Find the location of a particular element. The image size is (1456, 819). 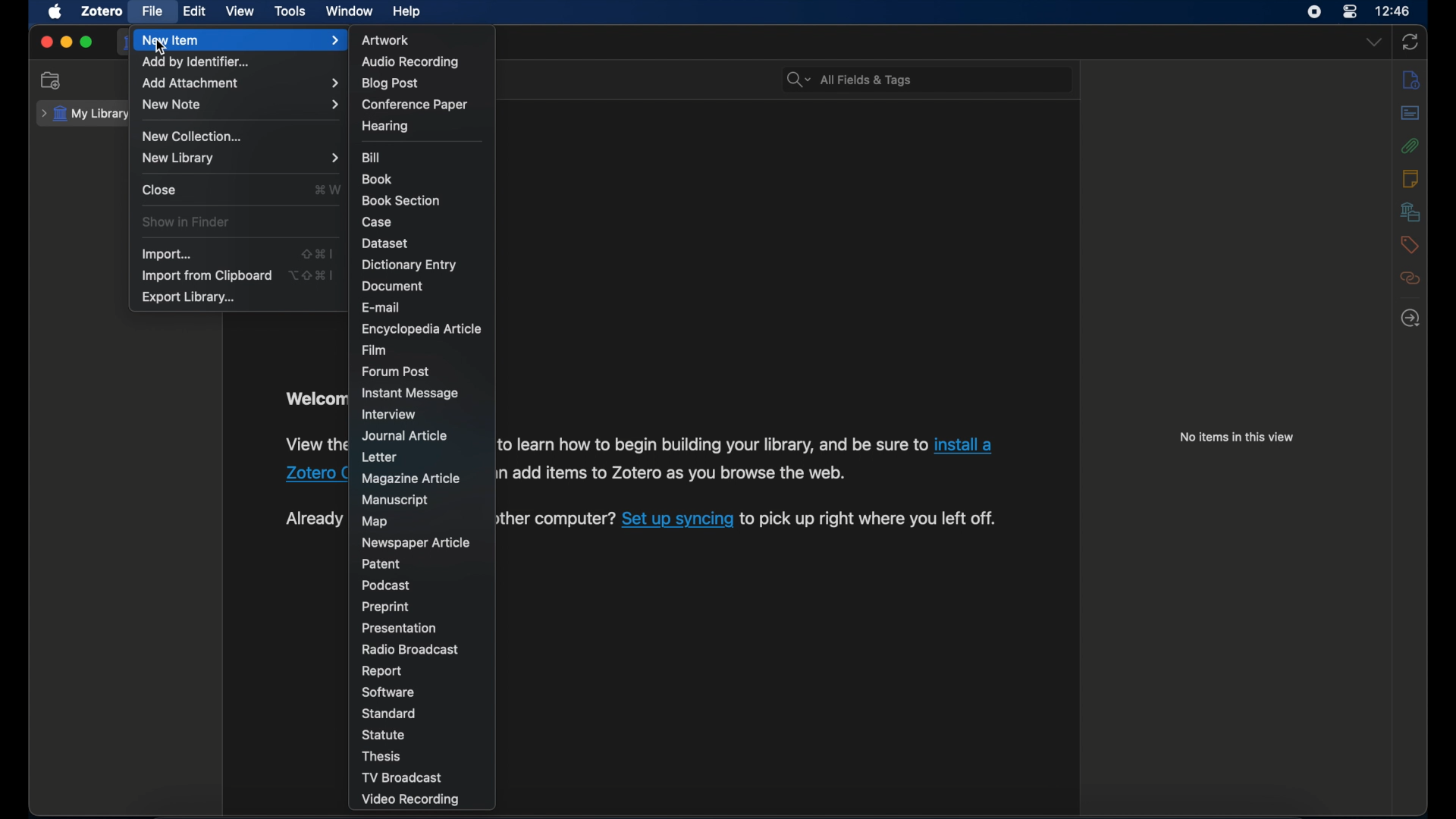

related is located at coordinates (1411, 278).